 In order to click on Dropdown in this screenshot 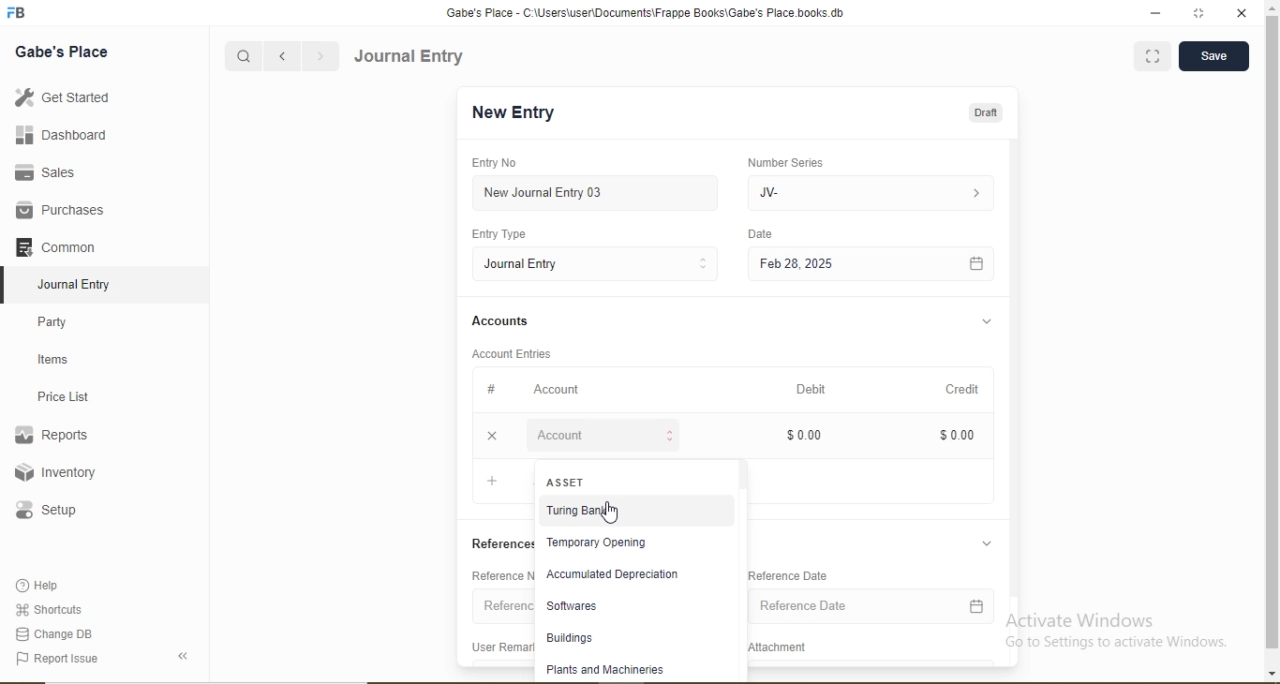, I will do `click(987, 322)`.